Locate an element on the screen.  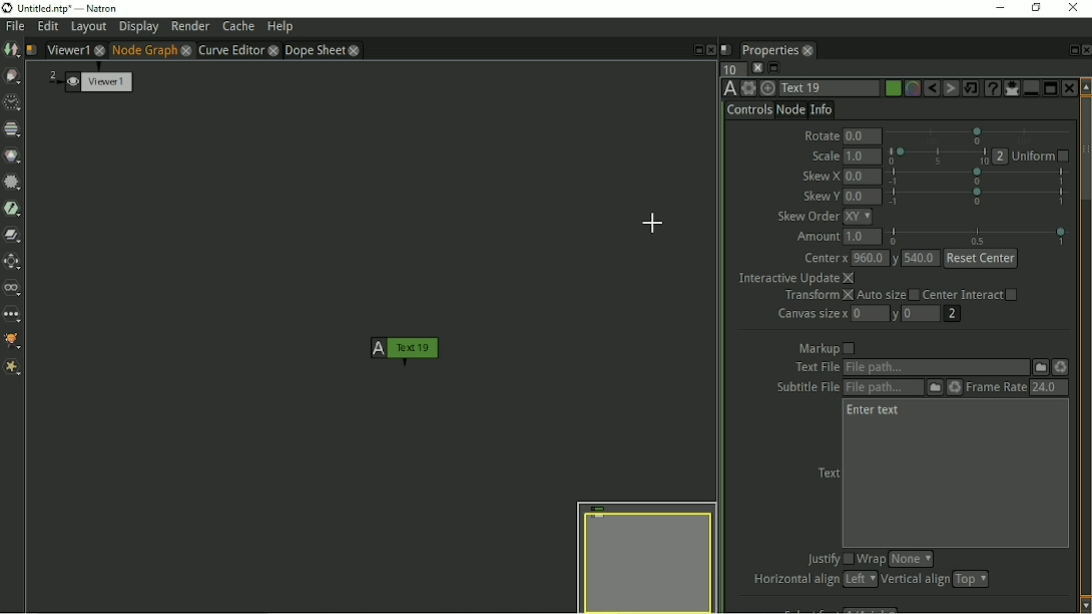
Horizontal align is located at coordinates (792, 580).